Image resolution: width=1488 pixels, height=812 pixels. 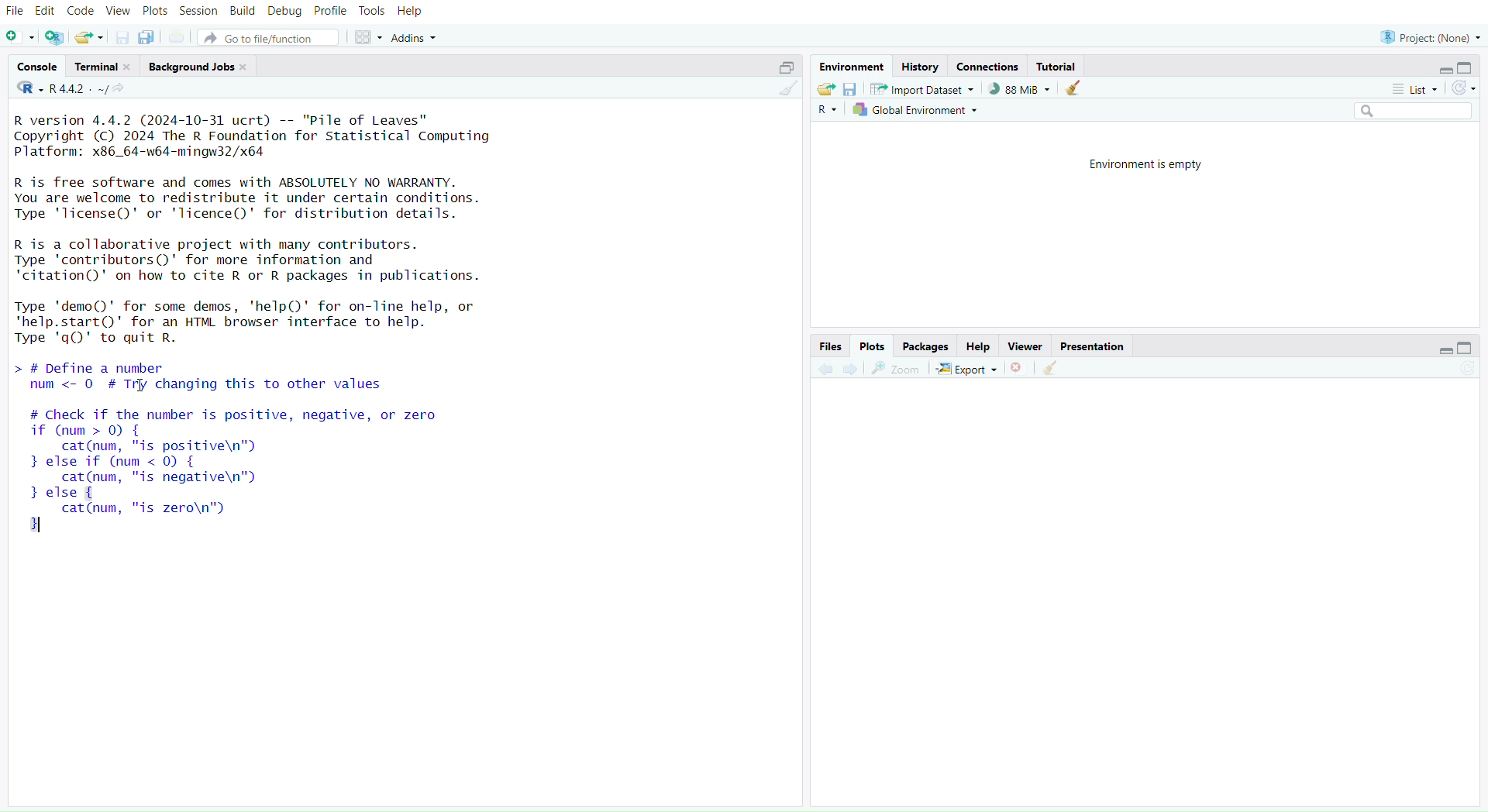 What do you see at coordinates (283, 229) in the screenshot?
I see `R version 4.4.2 (2024-10-31 ucrt) -- "Pile of Leaves"
Copyright (C) 2024 The R Foundation for Statistical Computing
Platform: x86_64-w64-mingw32/x64

R is free software and comes with ABSOLUTELY NO WARRANTY.
You are welcome to redistribute it under certain conditions.
Type 'license()' or 'licence()' for distribution details.

R is a collaborative project with many contributors.

Type 'contributors()' for more information and

"citation()' on how to cite R or R packages in publications.
Type 'demo()' for some demos, 'help()' for on-line help, or
'help.start()' for an HTML browser interface to help.

Type 'qQ)' to quit R.

>` at bounding box center [283, 229].